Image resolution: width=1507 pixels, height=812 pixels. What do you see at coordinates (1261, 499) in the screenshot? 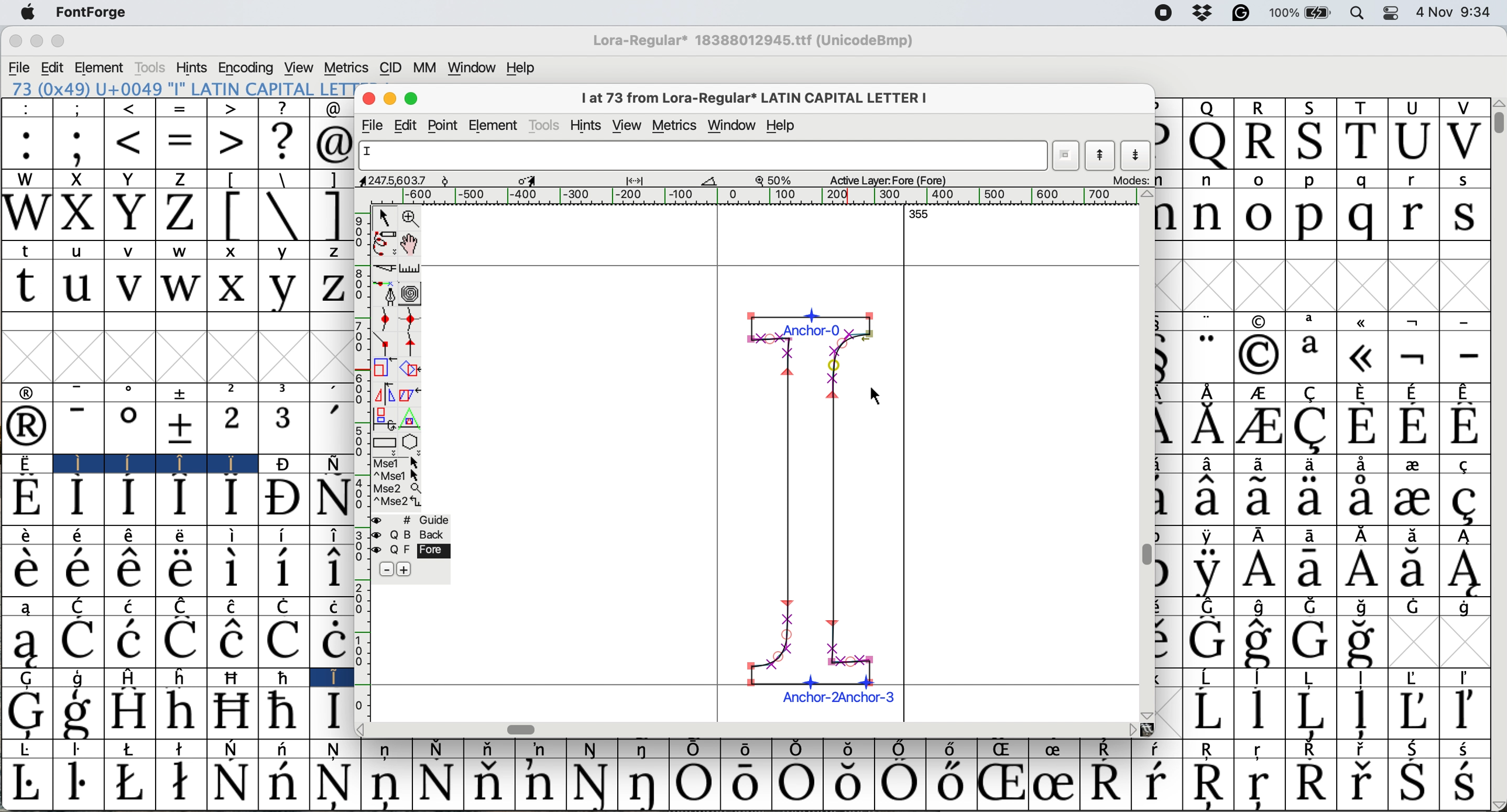
I see `Symbol` at bounding box center [1261, 499].